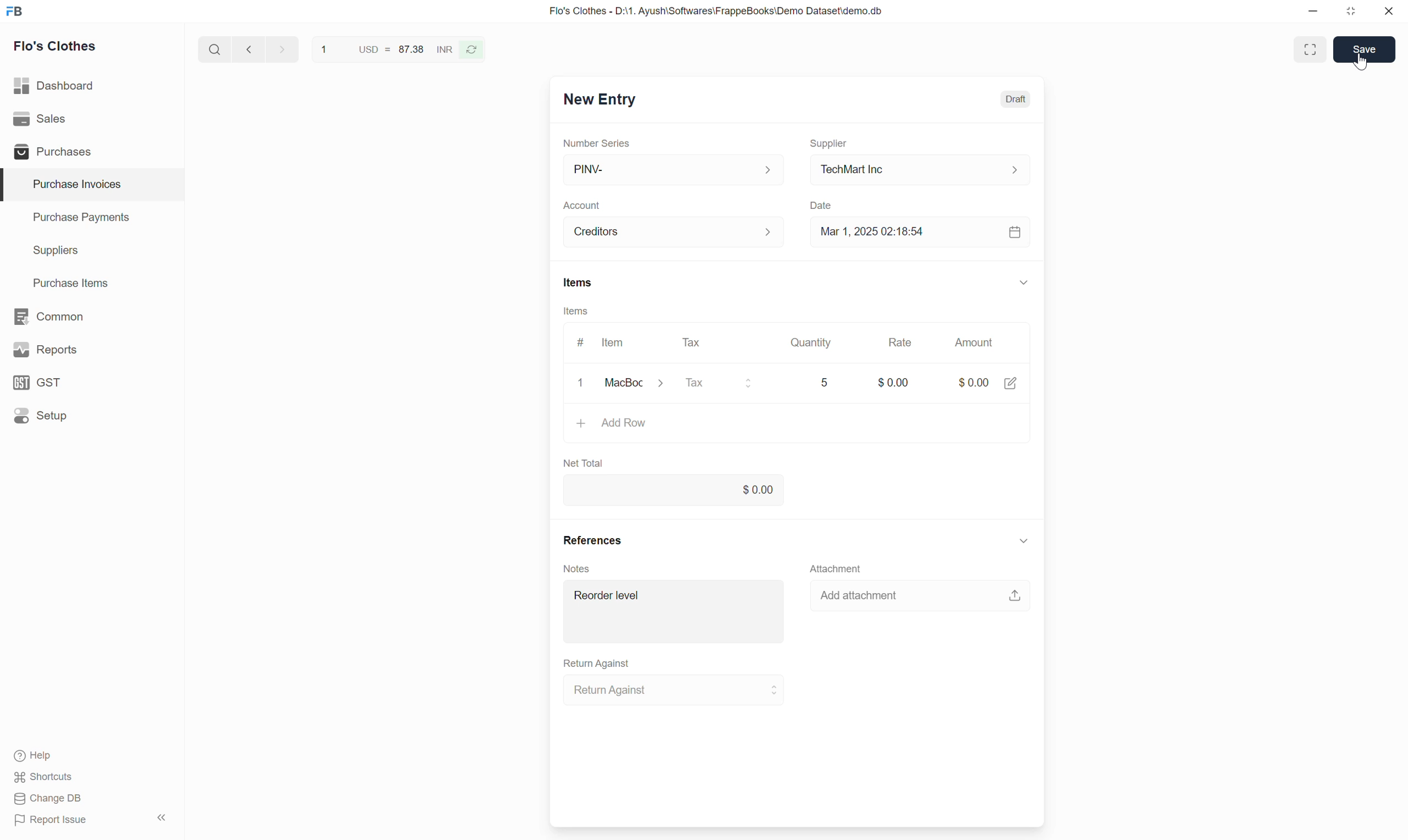 The image size is (1408, 840). What do you see at coordinates (674, 489) in the screenshot?
I see `0.00` at bounding box center [674, 489].